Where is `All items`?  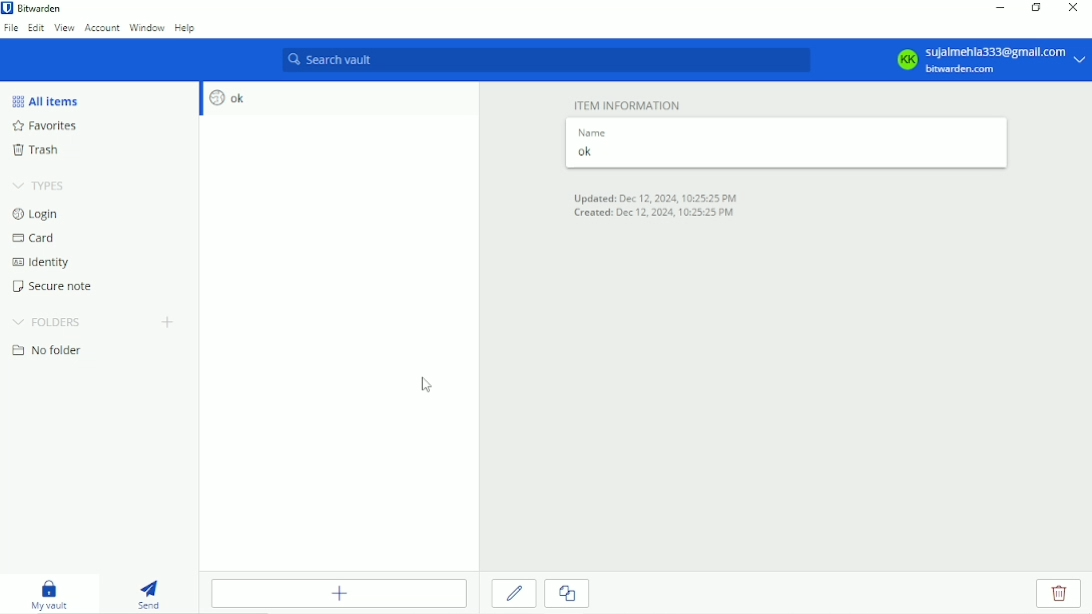
All items is located at coordinates (51, 100).